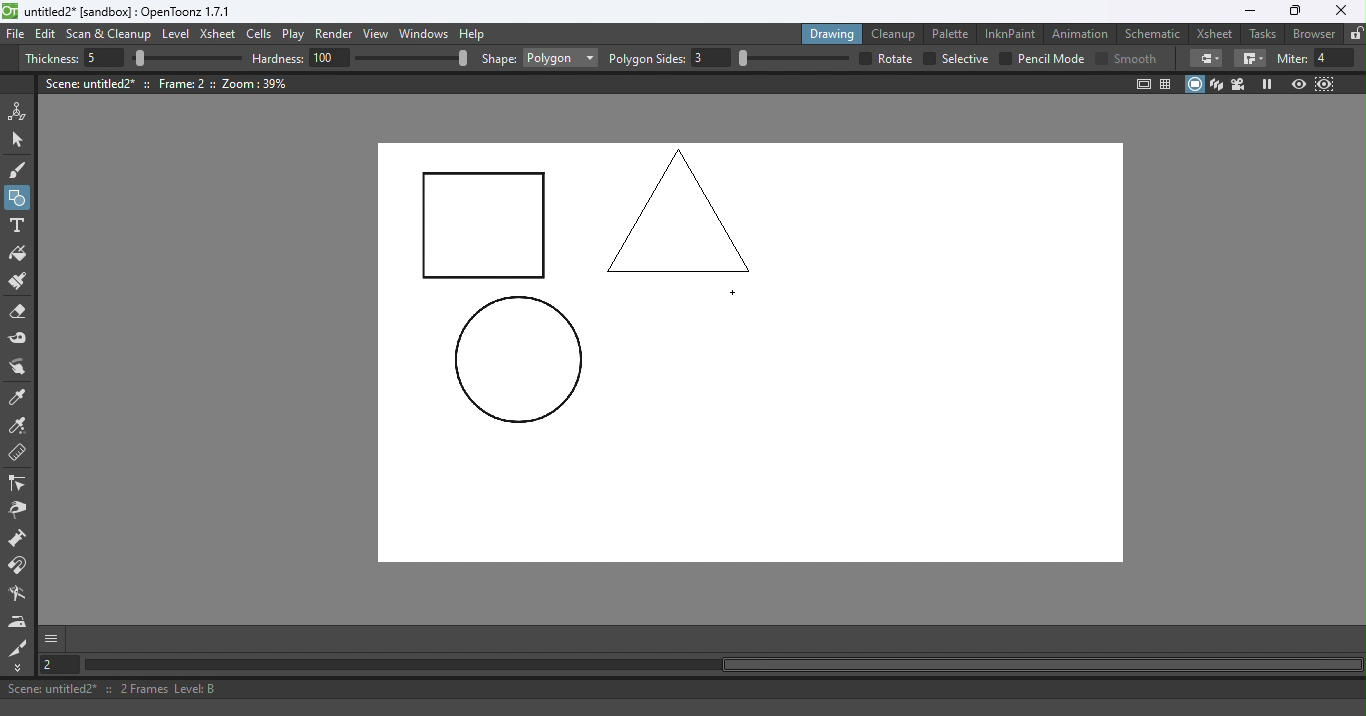 The height and width of the screenshot is (716, 1366). Describe the element at coordinates (928, 59) in the screenshot. I see `checkbox` at that location.